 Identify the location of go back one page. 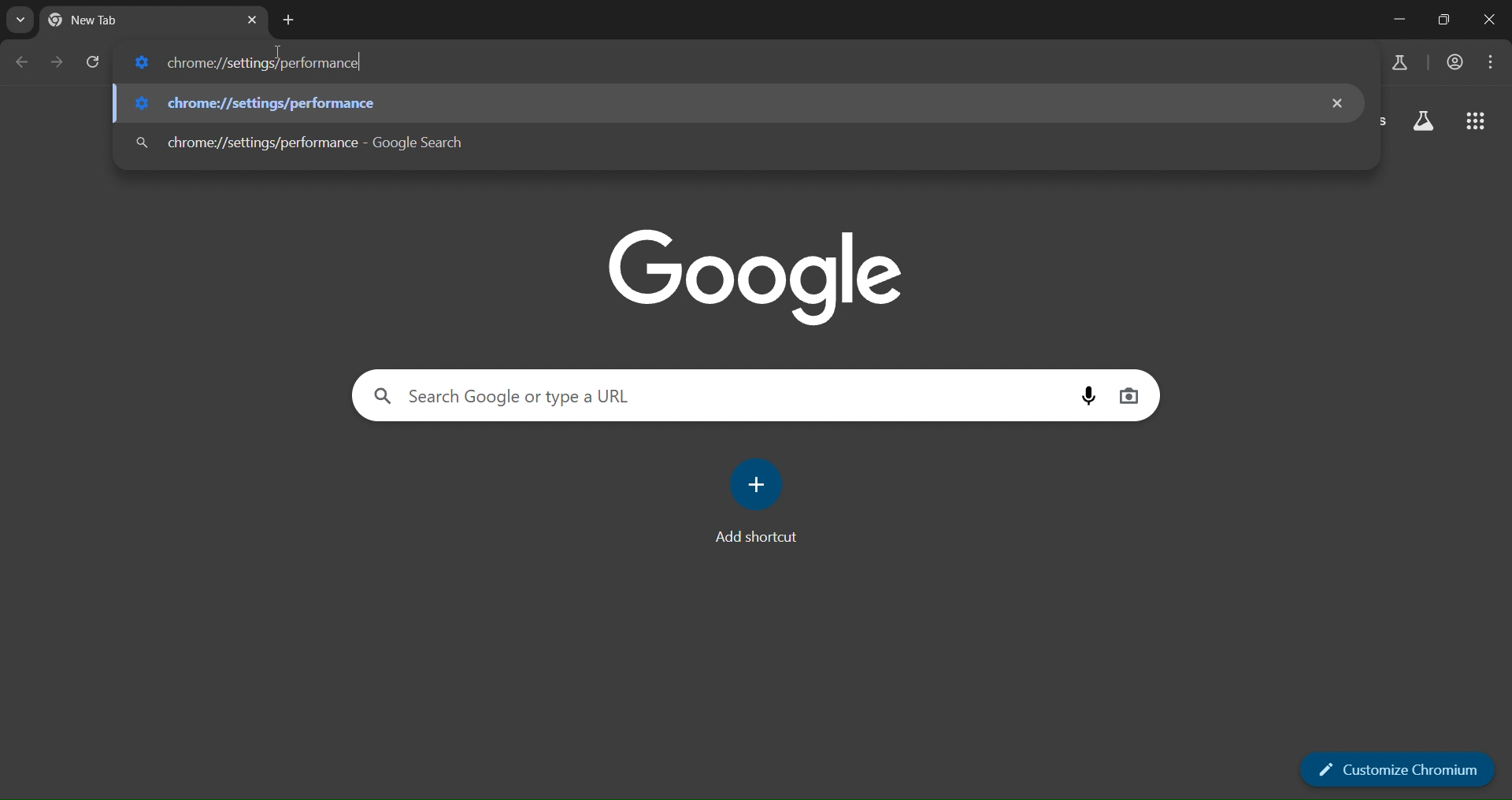
(27, 61).